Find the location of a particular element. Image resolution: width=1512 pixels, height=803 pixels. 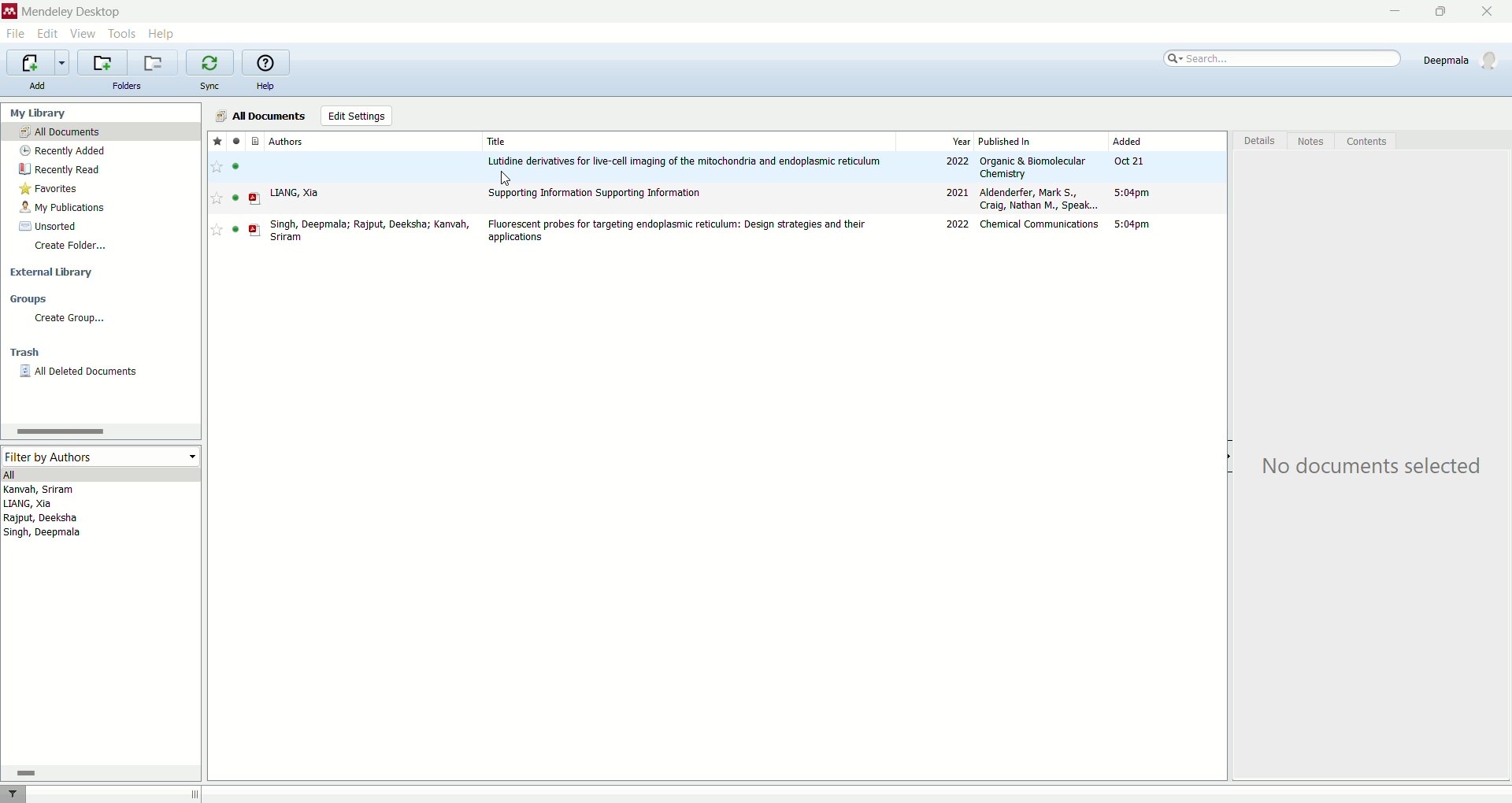

all documents is located at coordinates (103, 133).